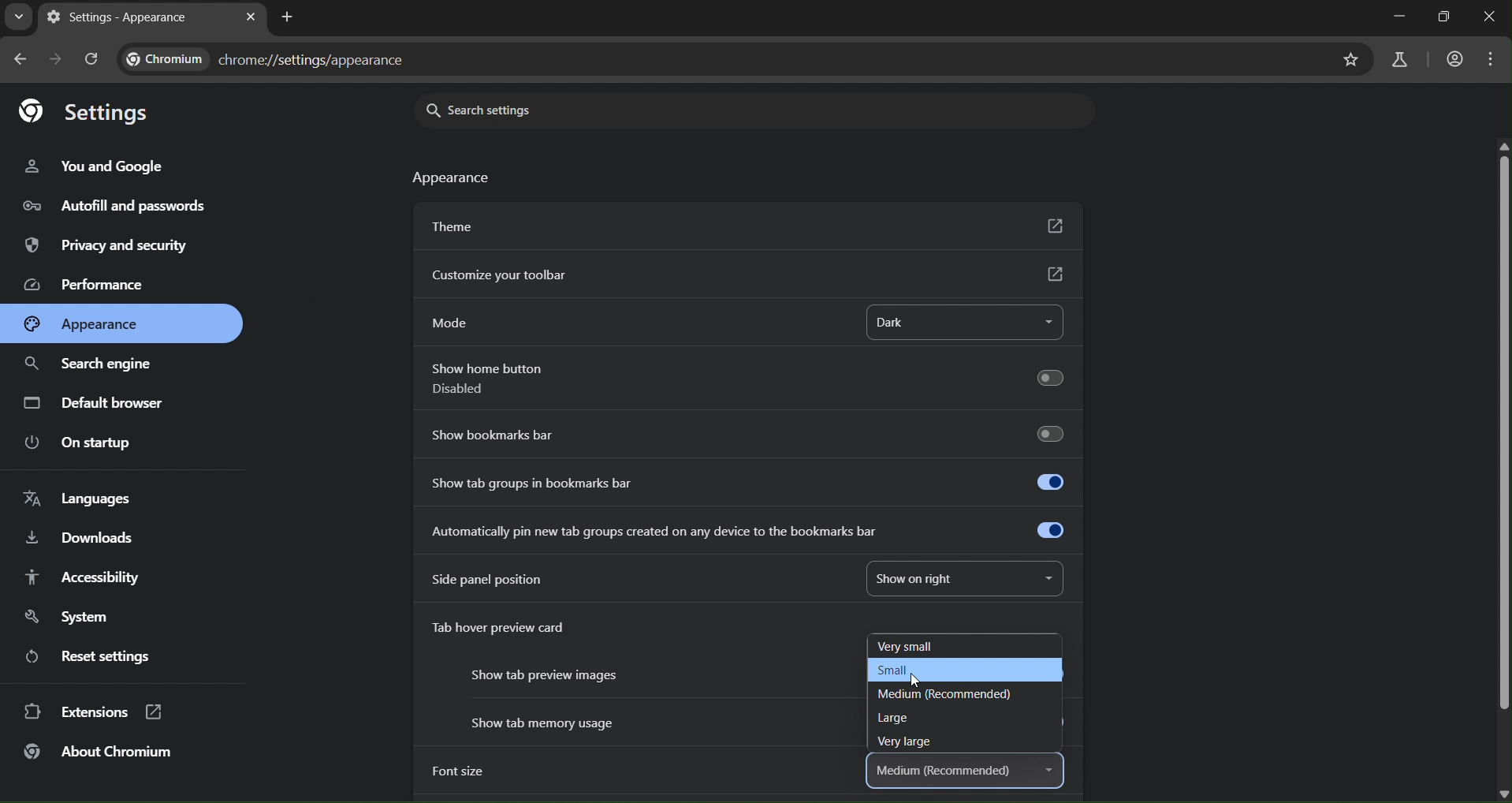 This screenshot has height=803, width=1512. What do you see at coordinates (509, 630) in the screenshot?
I see `tab hover preview card` at bounding box center [509, 630].